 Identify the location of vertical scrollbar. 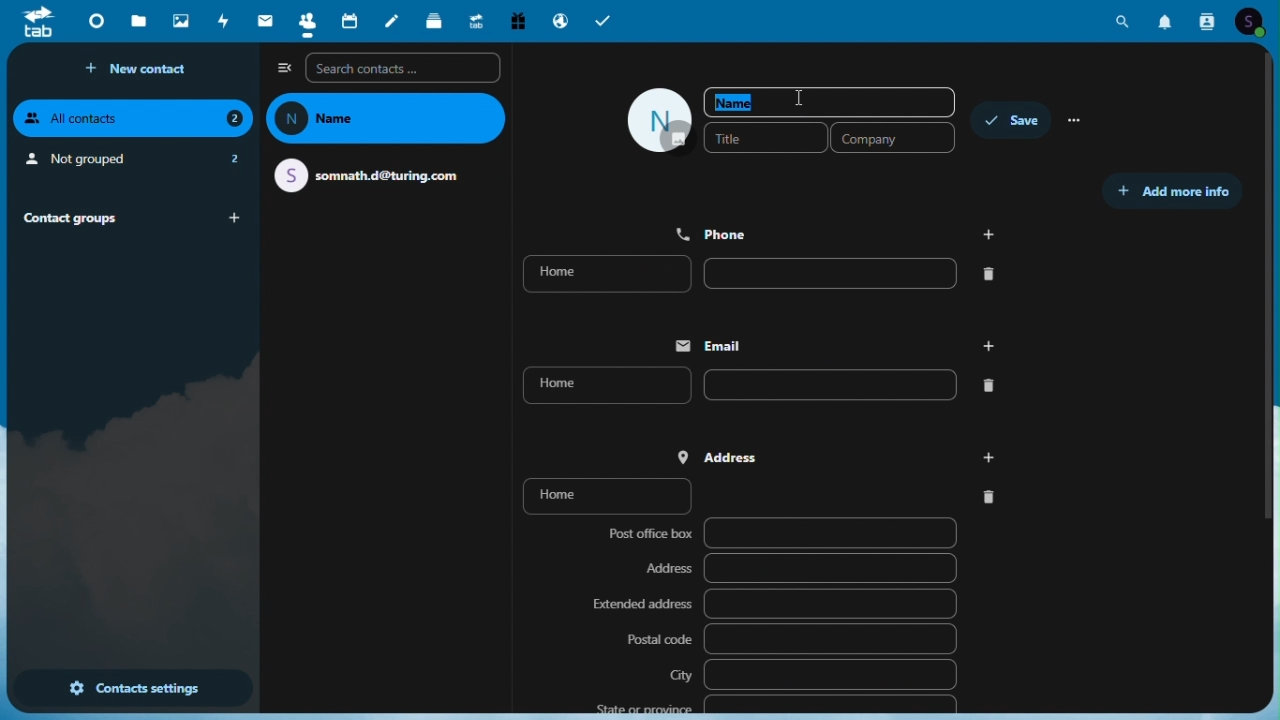
(1272, 297).